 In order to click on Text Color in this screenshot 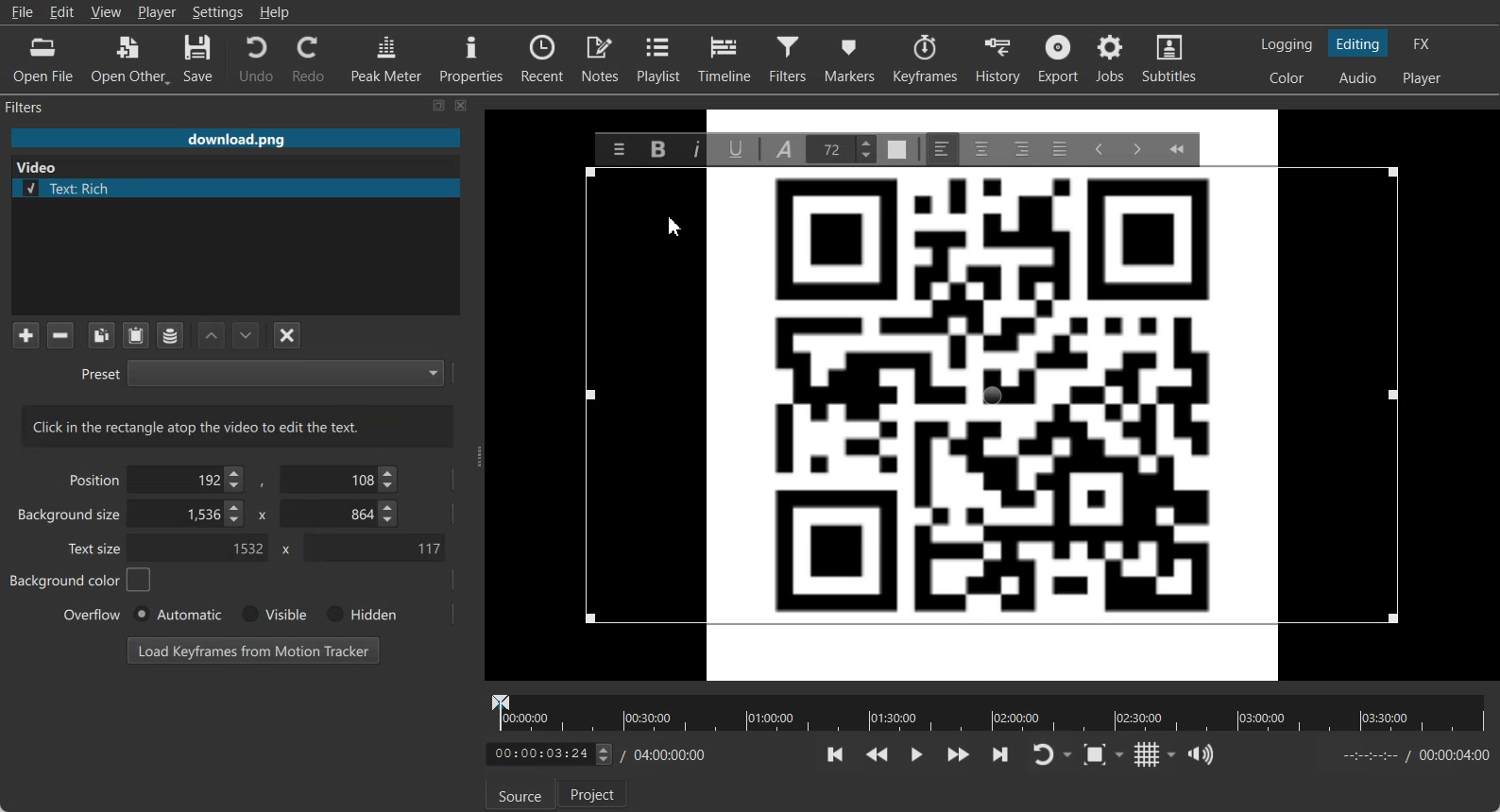, I will do `click(895, 149)`.